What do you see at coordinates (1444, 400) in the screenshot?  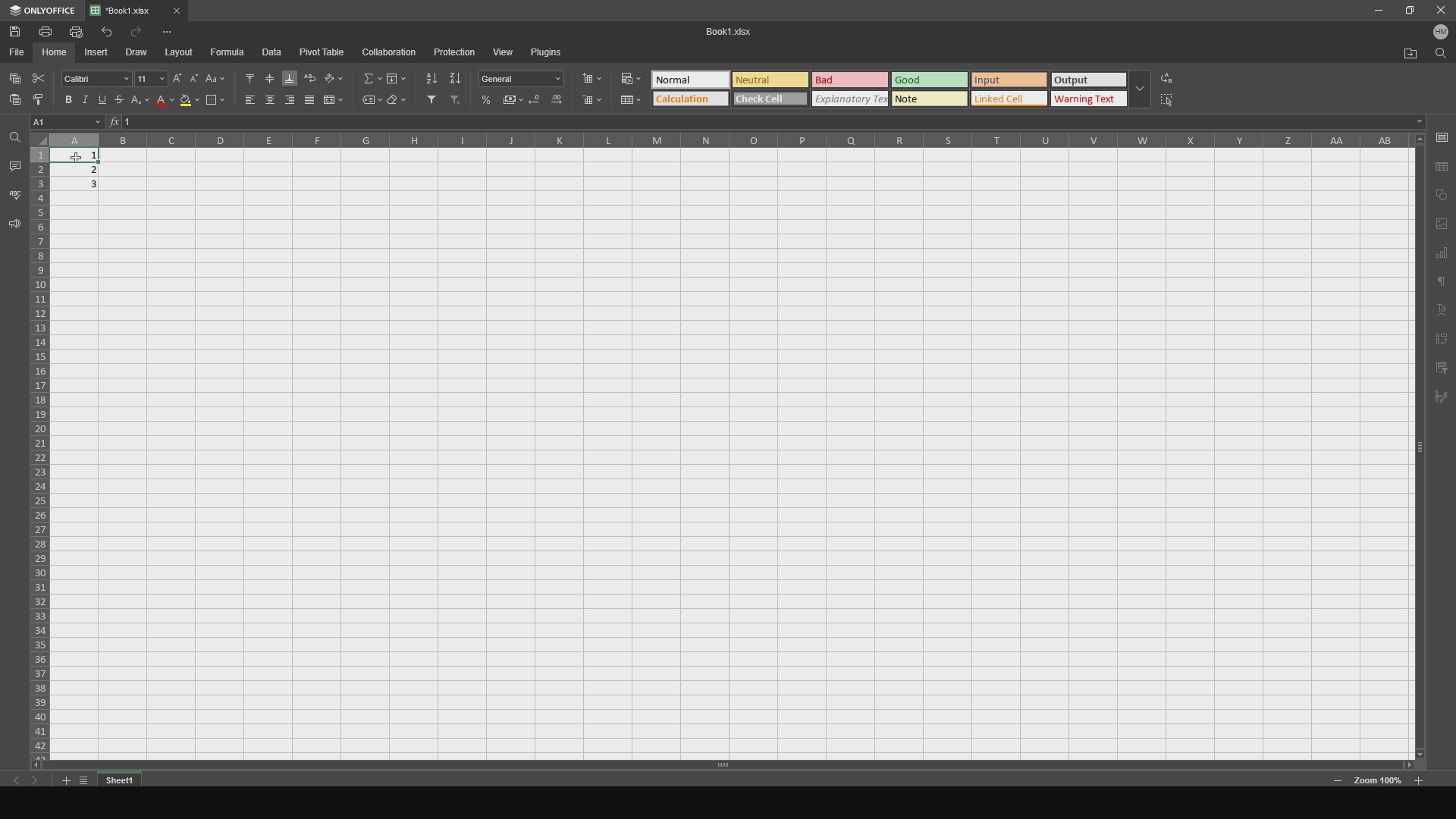 I see `signature` at bounding box center [1444, 400].